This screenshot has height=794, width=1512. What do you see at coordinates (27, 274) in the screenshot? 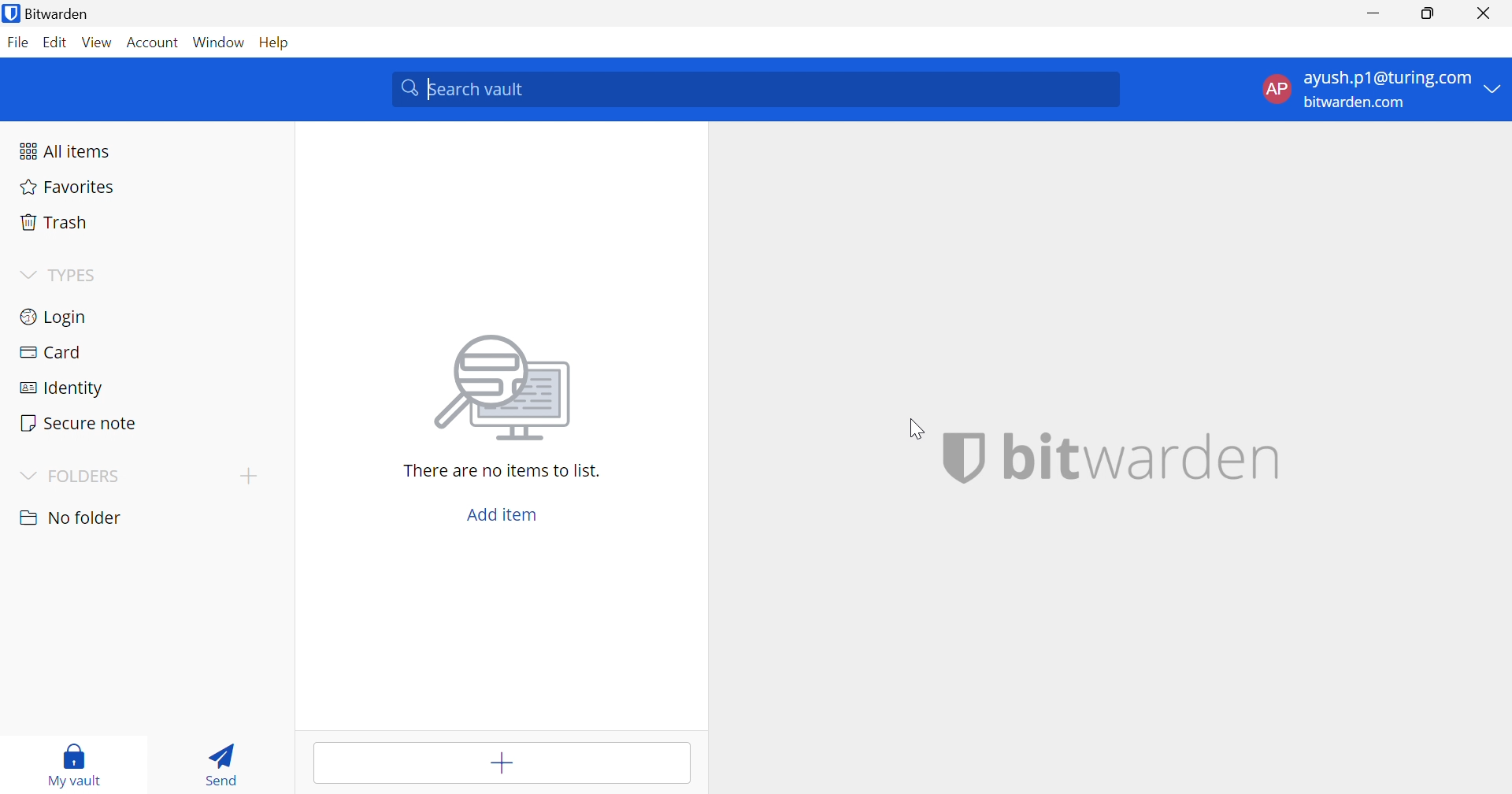
I see `Drop Down` at bounding box center [27, 274].